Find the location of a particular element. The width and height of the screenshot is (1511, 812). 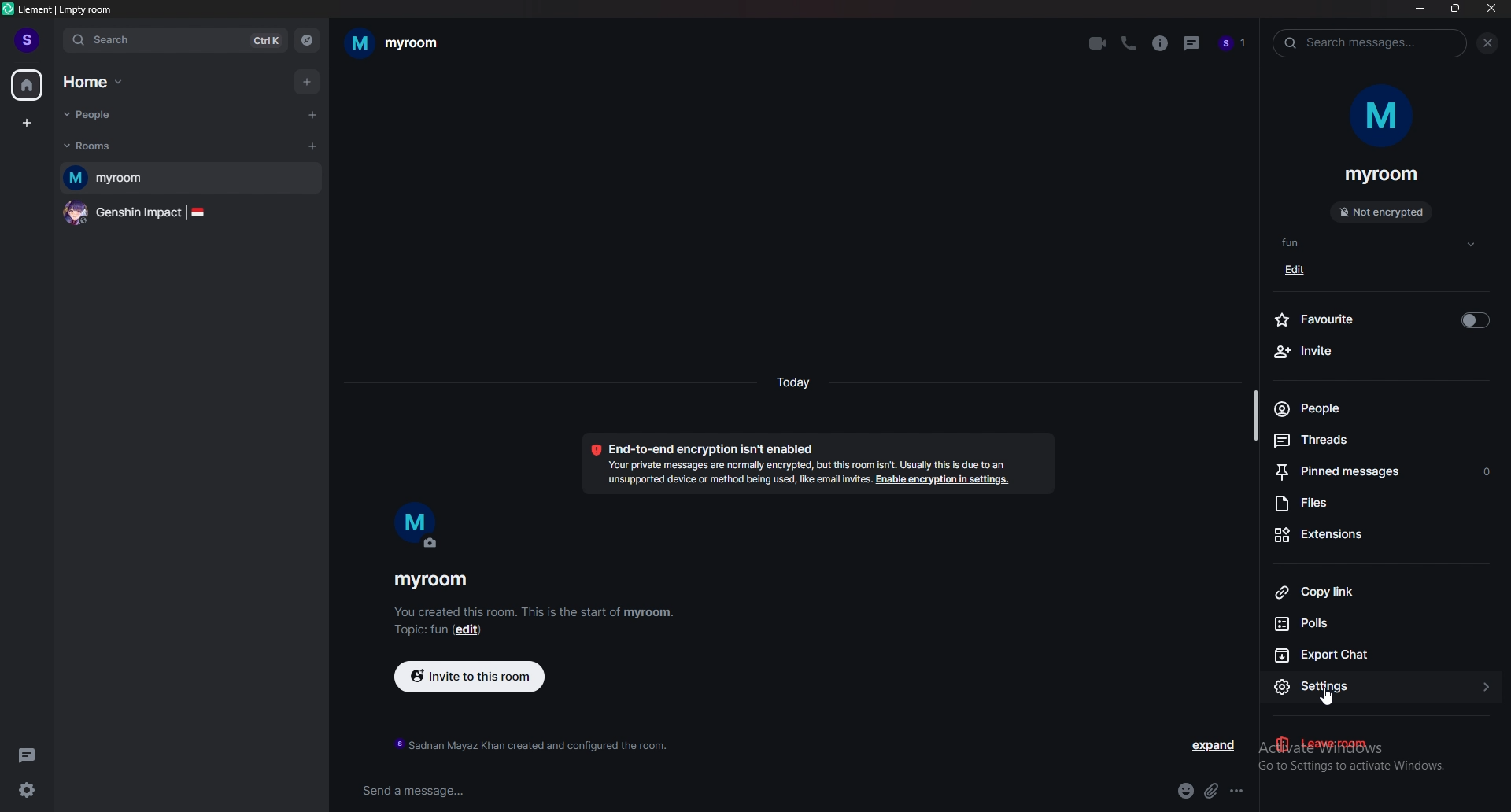

ctrl k is located at coordinates (260, 41).